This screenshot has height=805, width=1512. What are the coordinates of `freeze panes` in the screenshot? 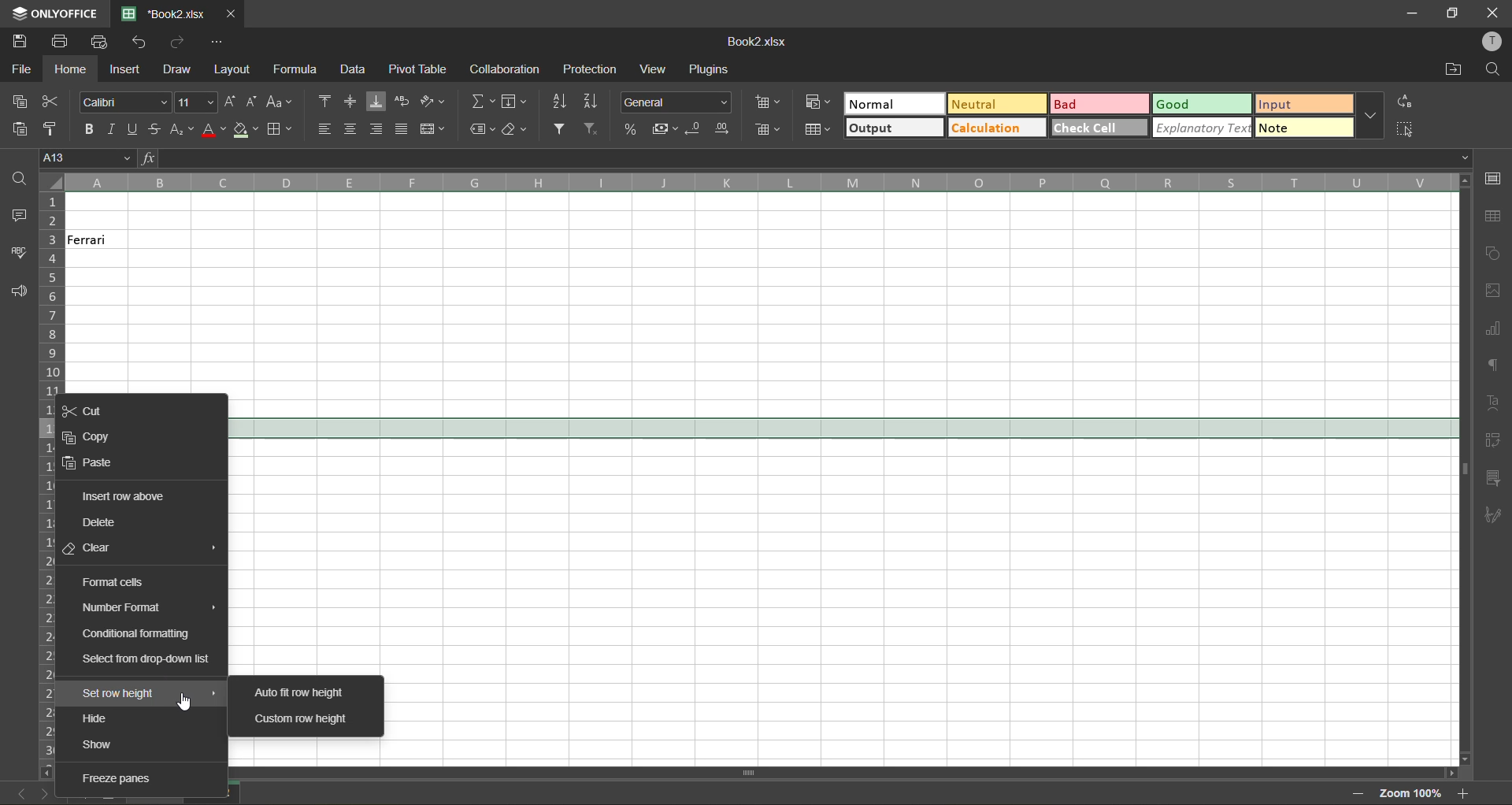 It's located at (117, 781).